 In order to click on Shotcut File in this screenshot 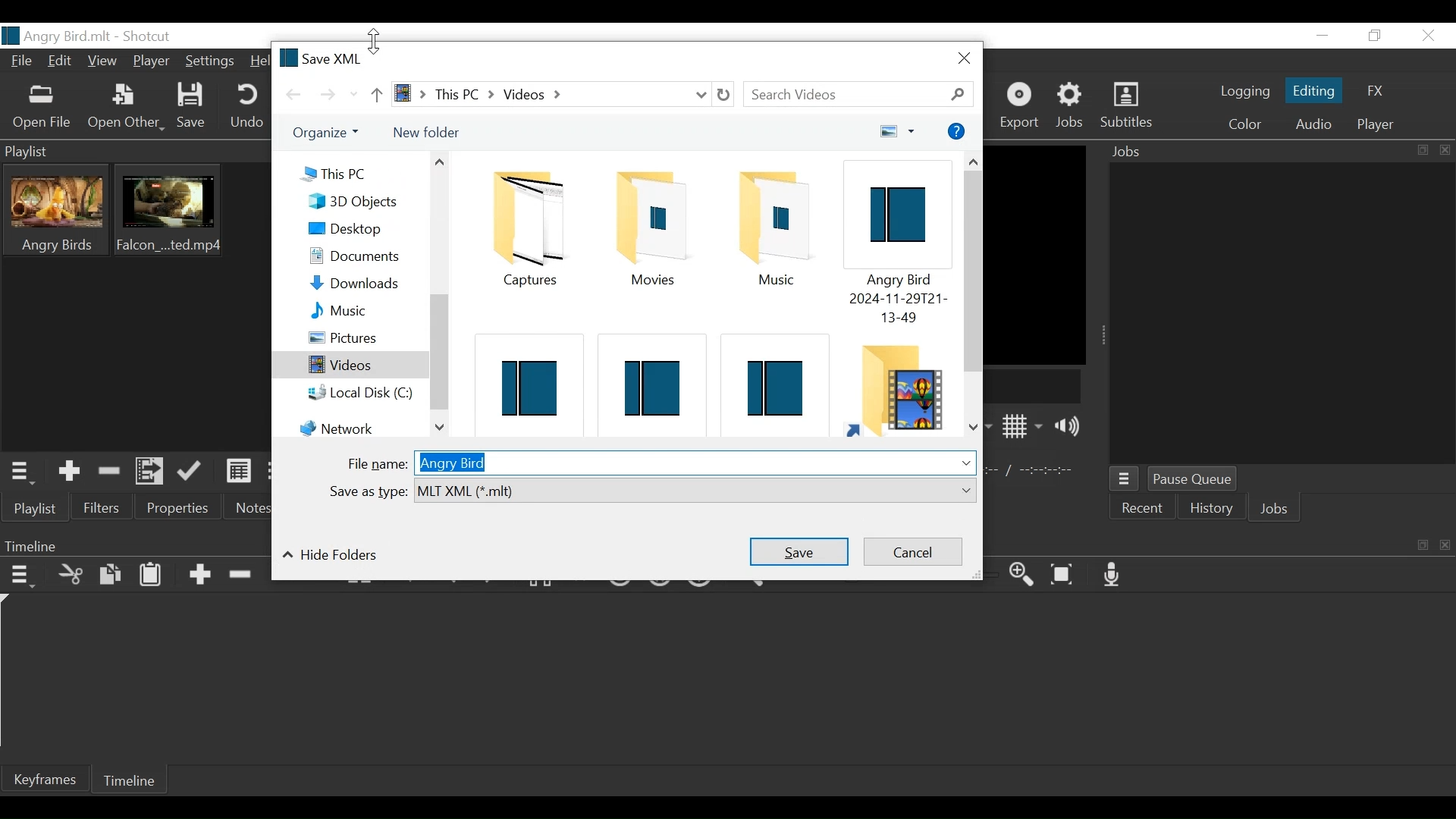, I will do `click(771, 379)`.